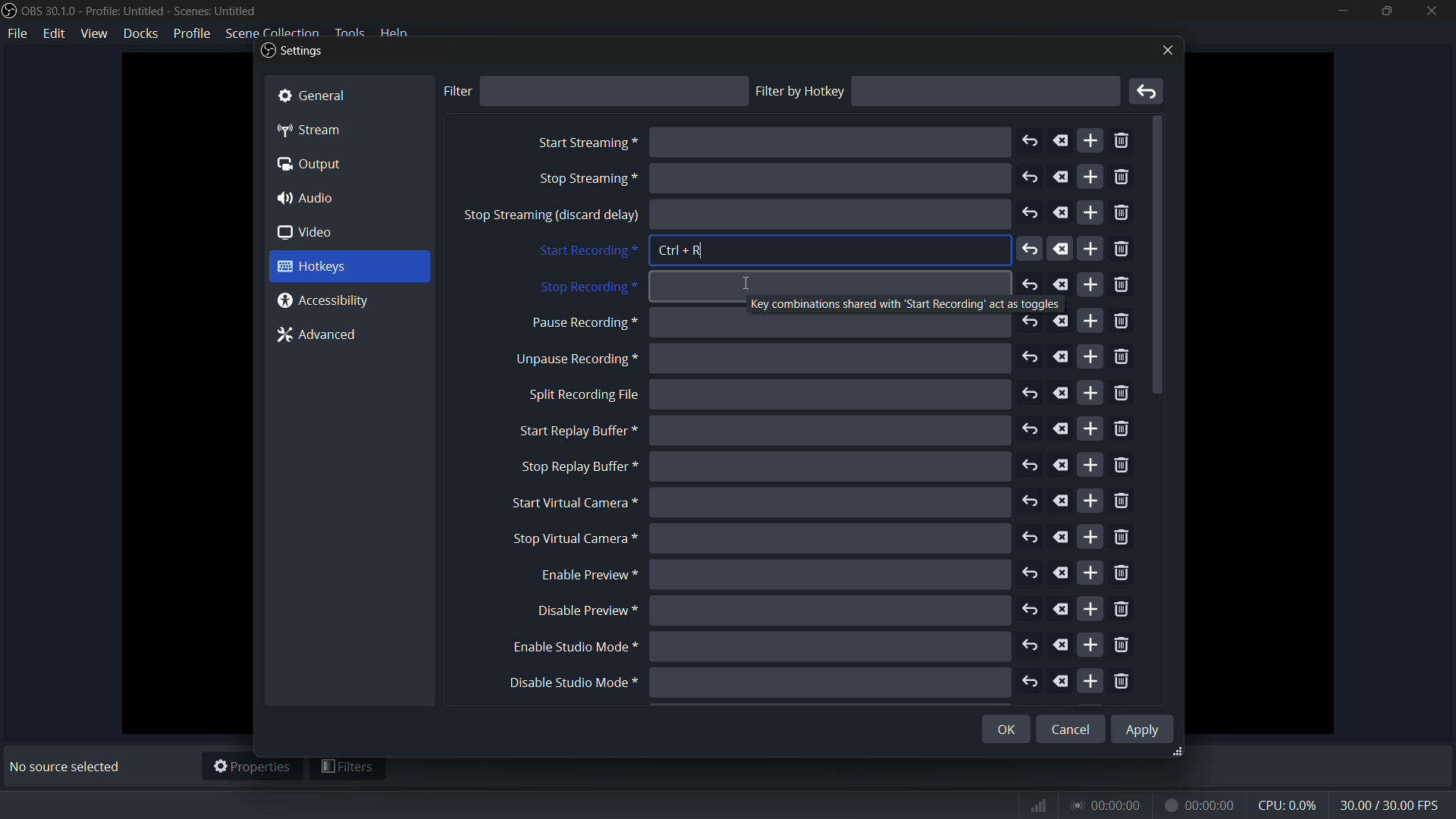  Describe the element at coordinates (994, 731) in the screenshot. I see `OK` at that location.